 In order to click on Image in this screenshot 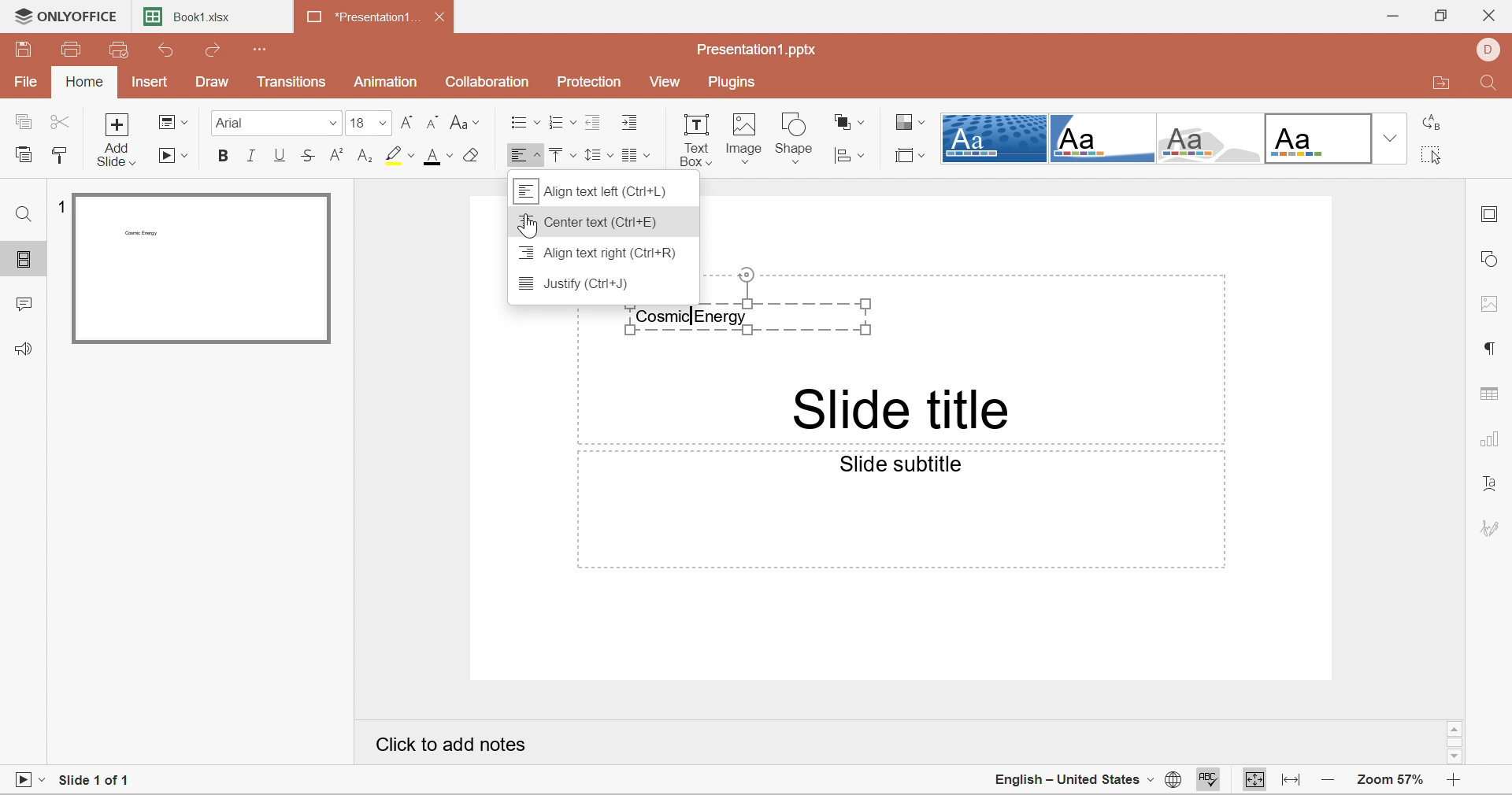, I will do `click(746, 139)`.